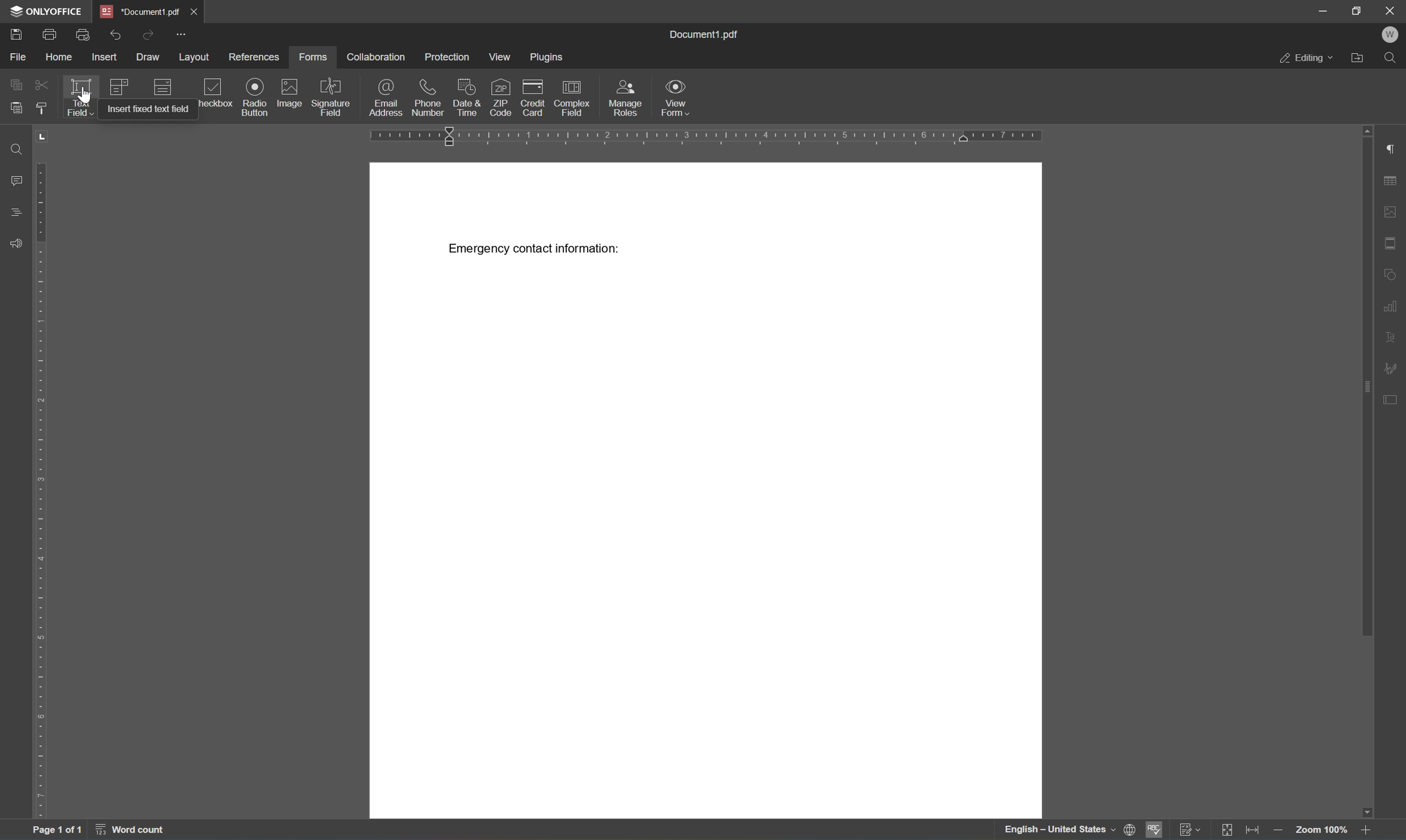 The width and height of the screenshot is (1406, 840). Describe the element at coordinates (78, 96) in the screenshot. I see `text field` at that location.